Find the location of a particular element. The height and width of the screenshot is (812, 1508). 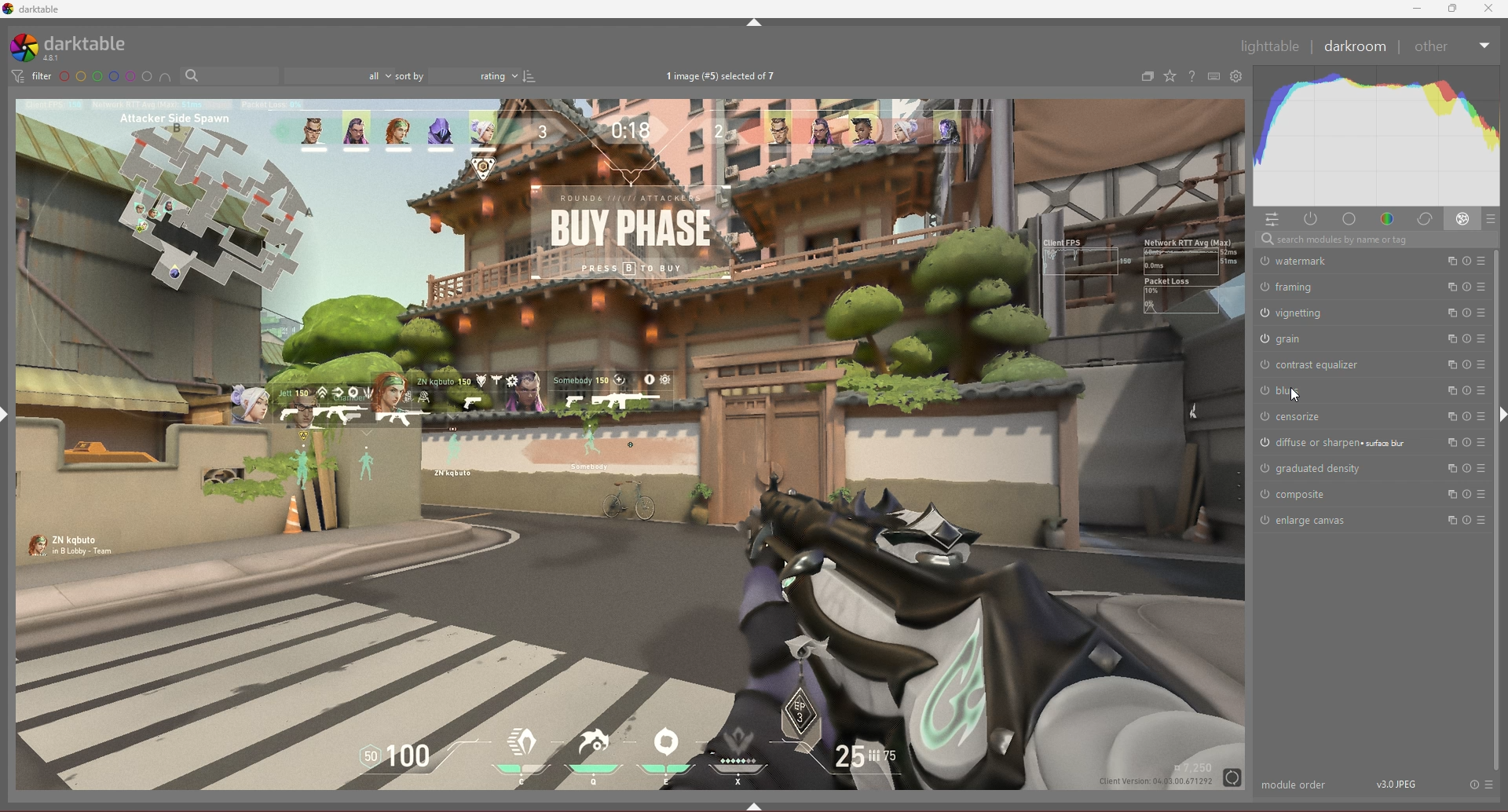

scroll bar is located at coordinates (1496, 510).